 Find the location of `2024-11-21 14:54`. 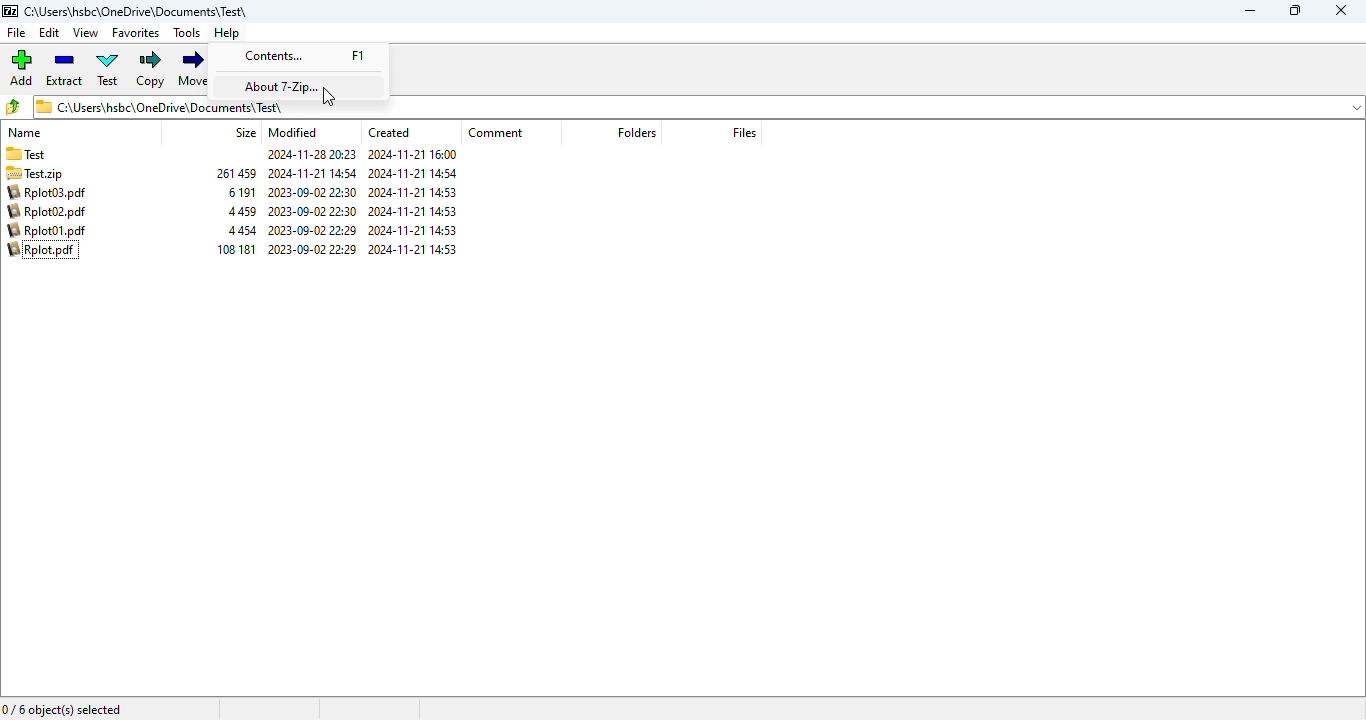

2024-11-21 14:54 is located at coordinates (415, 174).